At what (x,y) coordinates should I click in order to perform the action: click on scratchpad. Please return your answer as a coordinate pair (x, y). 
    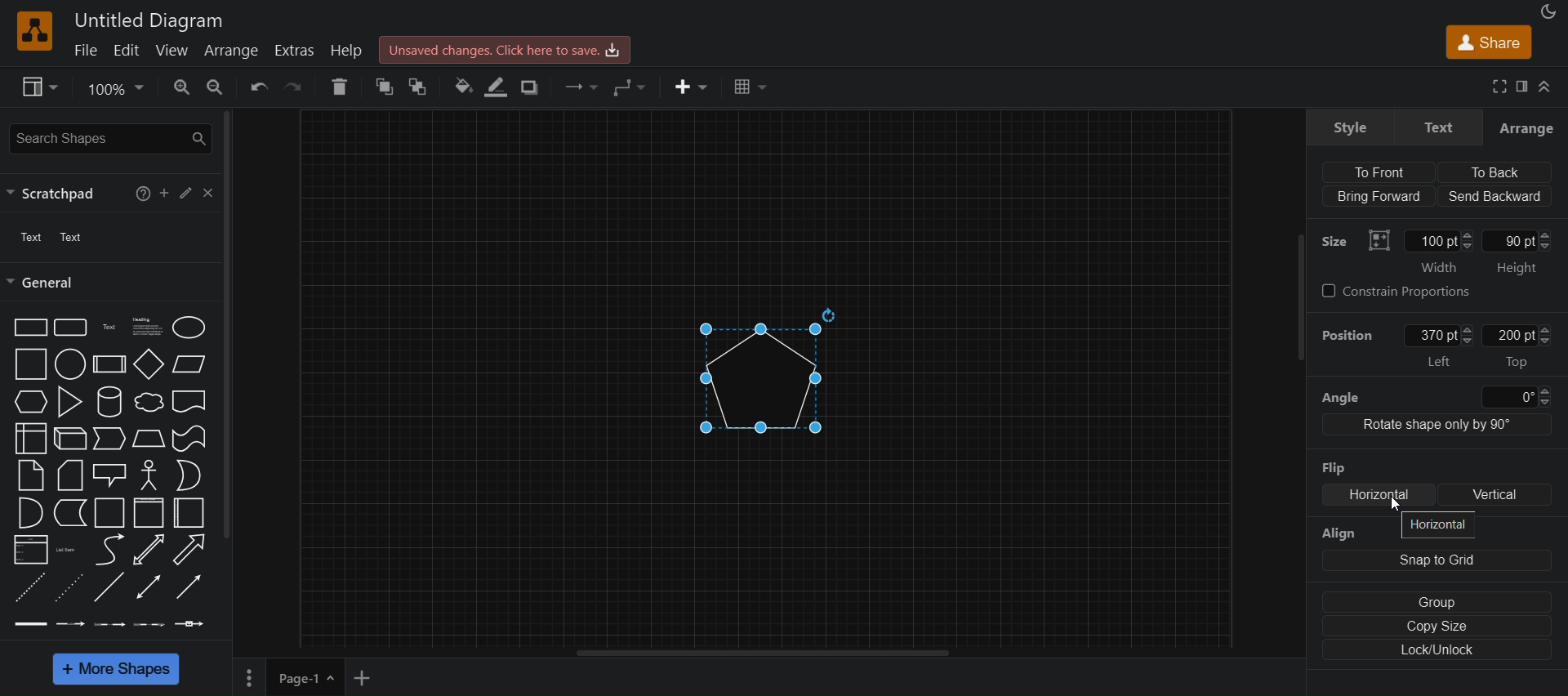
    Looking at the image, I should click on (59, 194).